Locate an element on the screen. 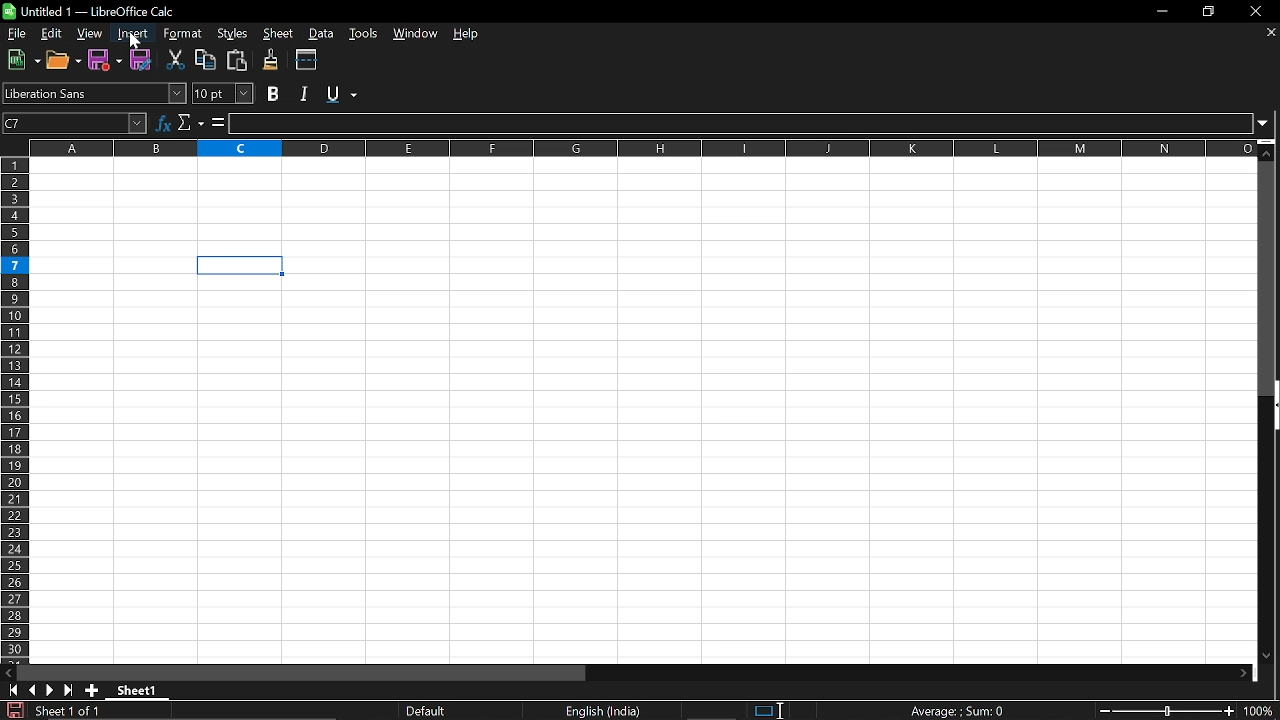 Image resolution: width=1280 pixels, height=720 pixels. Vertical scrollbar is located at coordinates (1269, 278).